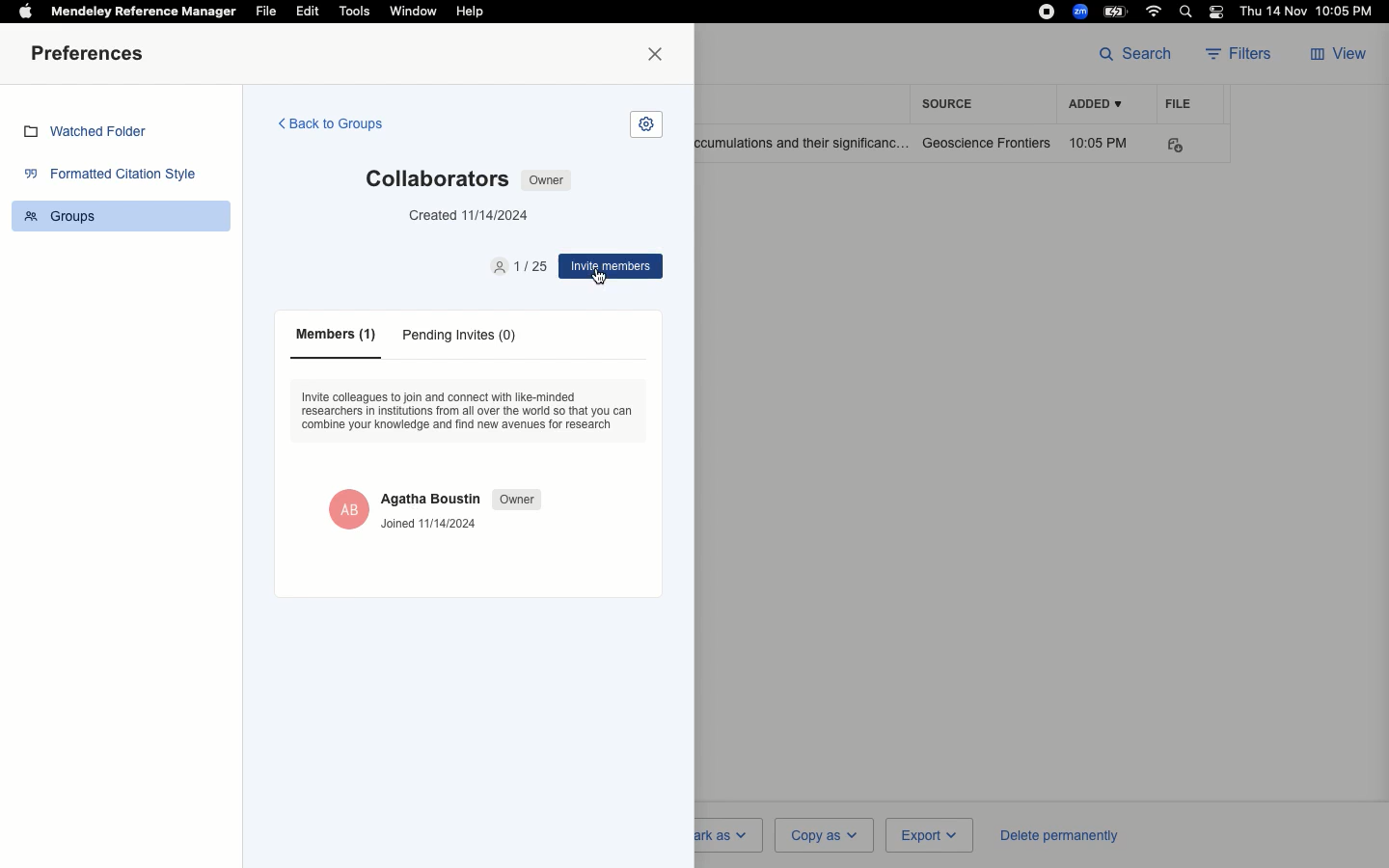  I want to click on Delete permanently, so click(1055, 834).